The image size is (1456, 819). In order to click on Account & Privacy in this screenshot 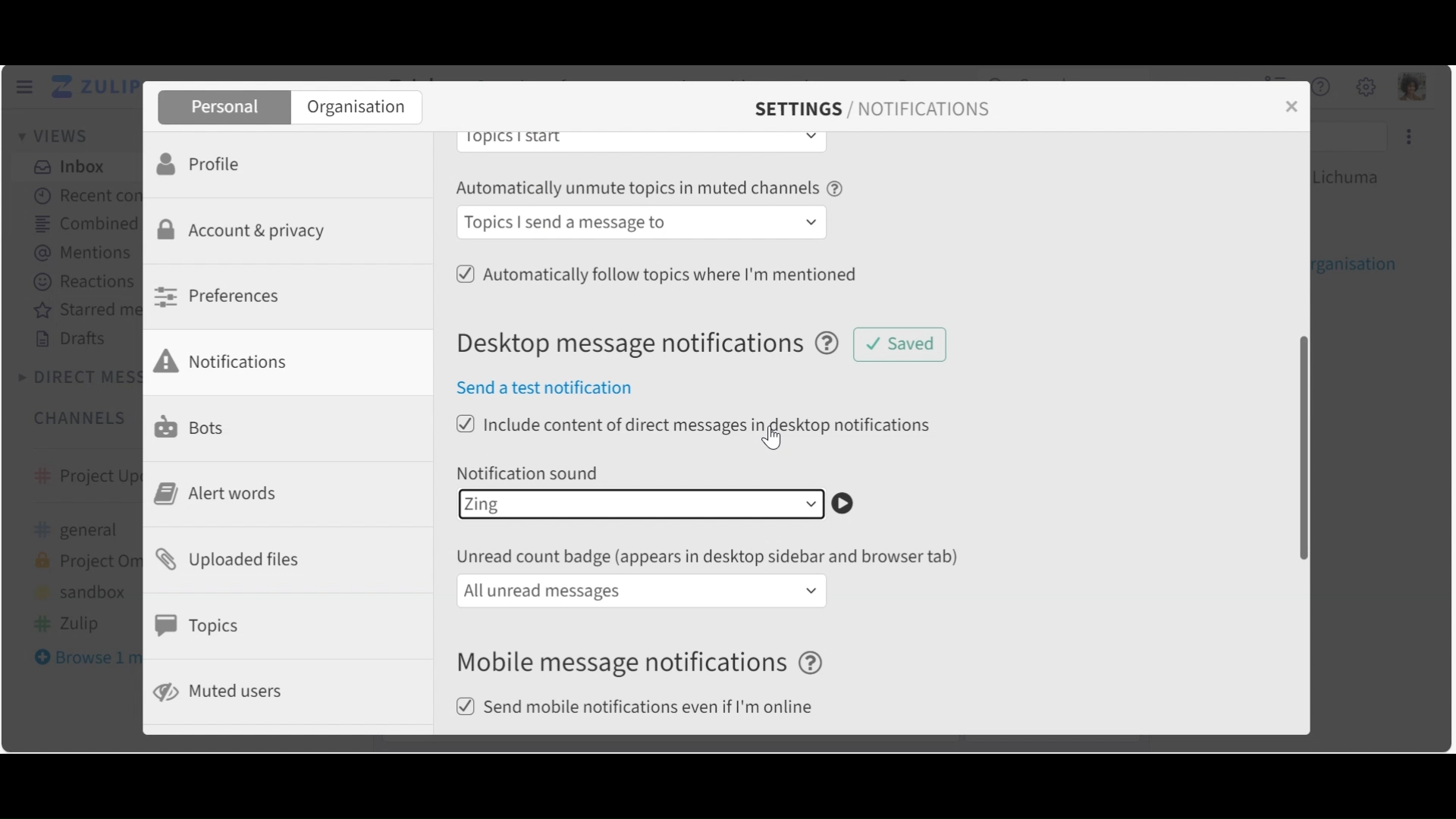, I will do `click(246, 232)`.